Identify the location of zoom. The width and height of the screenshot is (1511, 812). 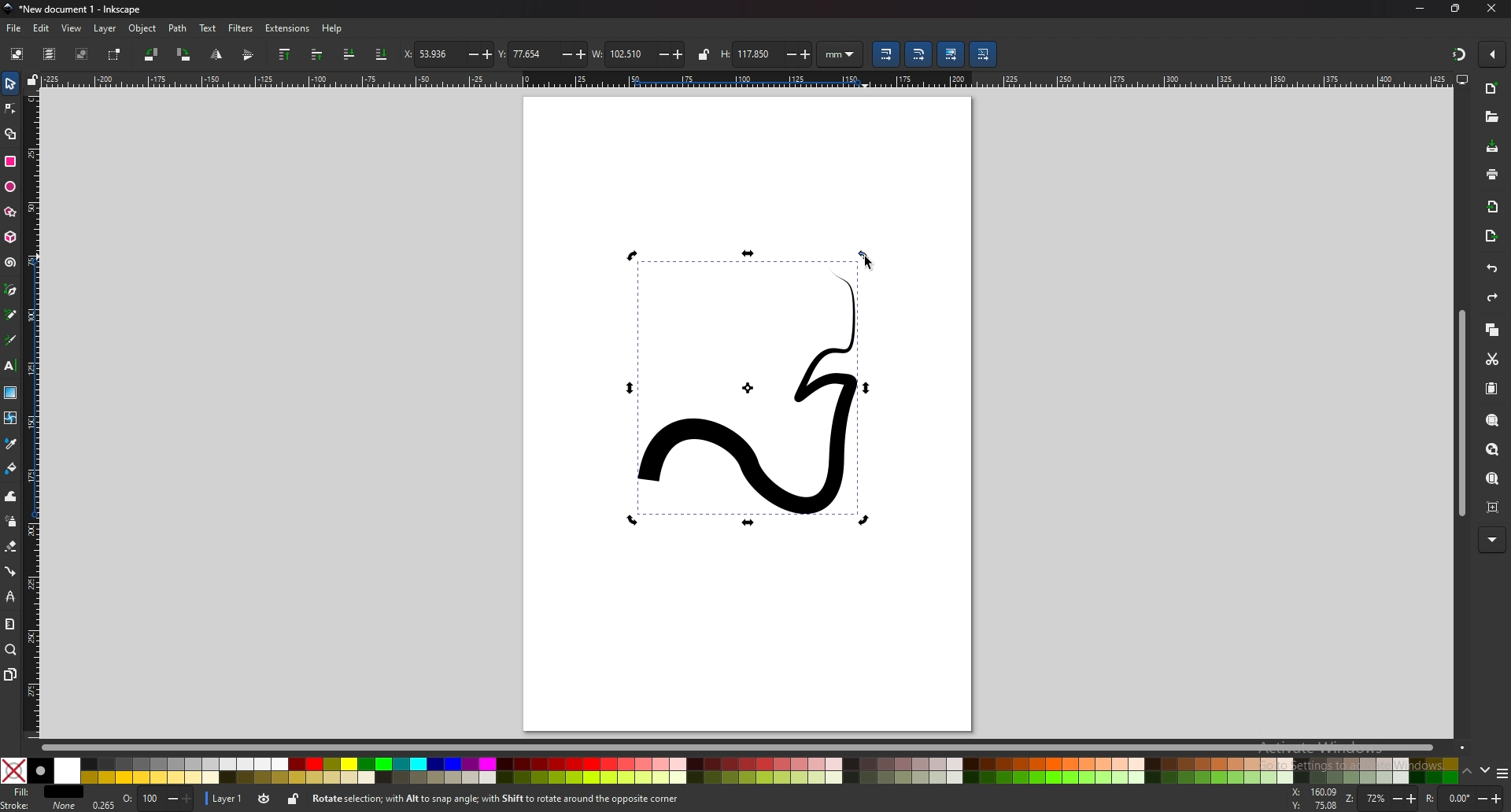
(10, 650).